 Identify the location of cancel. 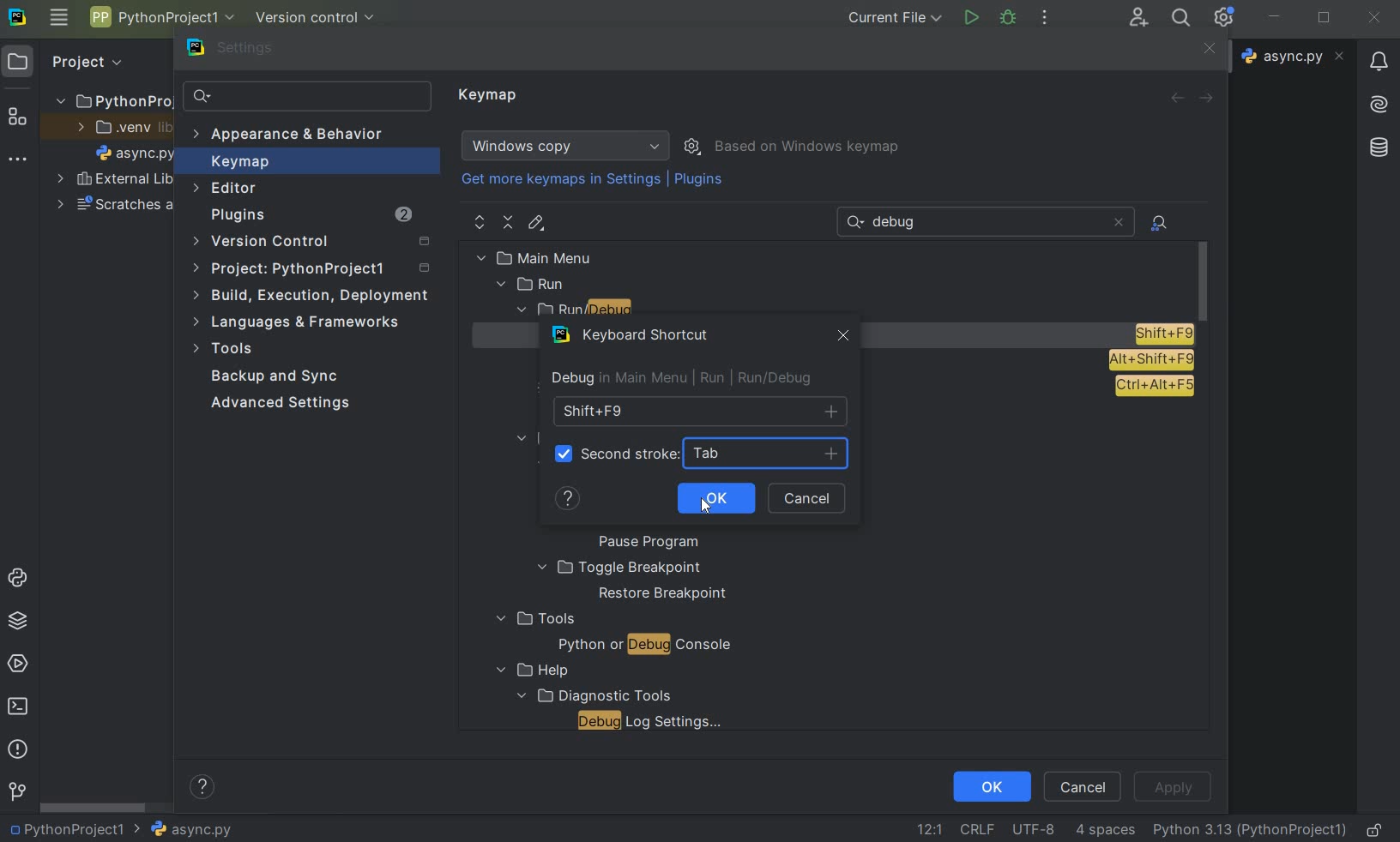
(812, 499).